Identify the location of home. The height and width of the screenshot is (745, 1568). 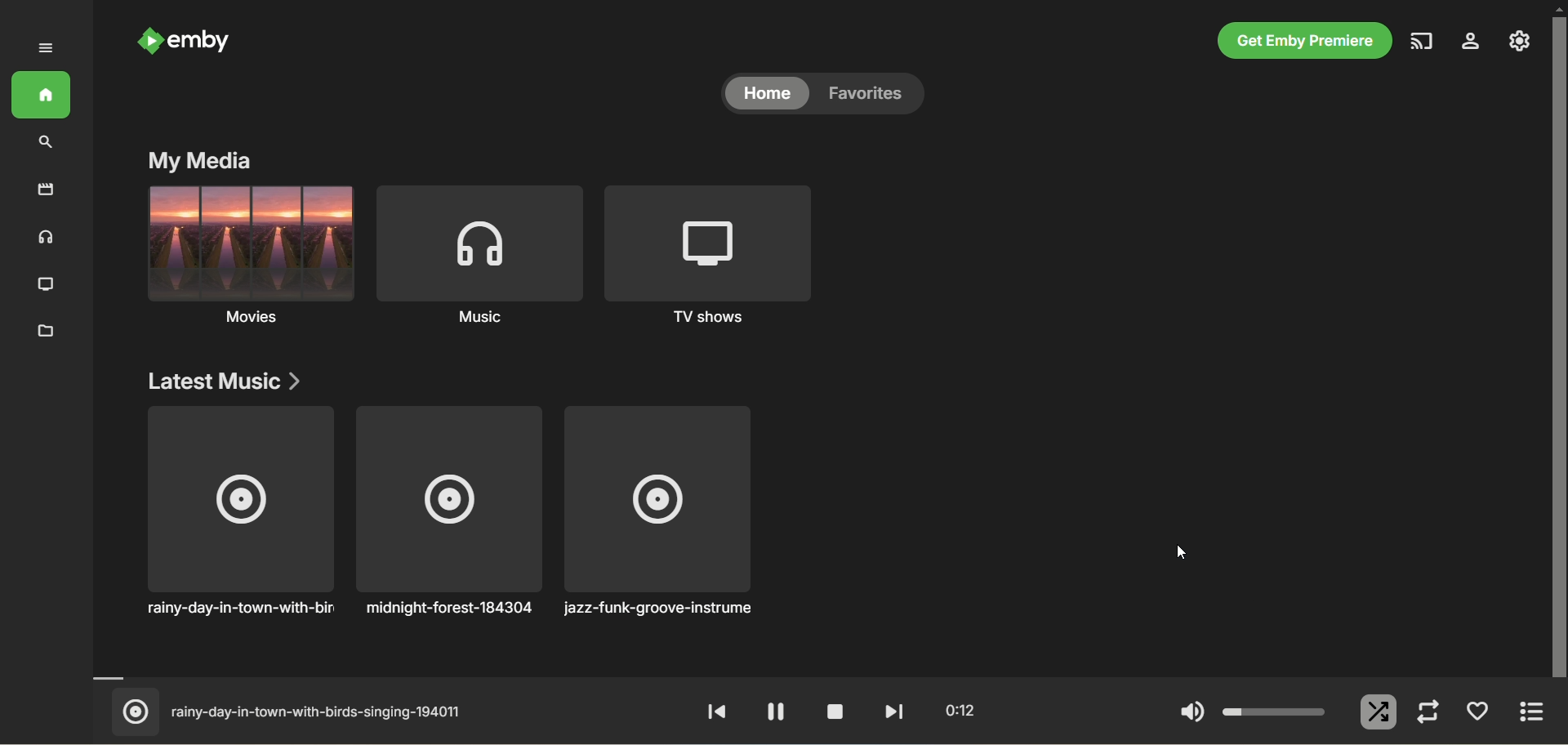
(763, 95).